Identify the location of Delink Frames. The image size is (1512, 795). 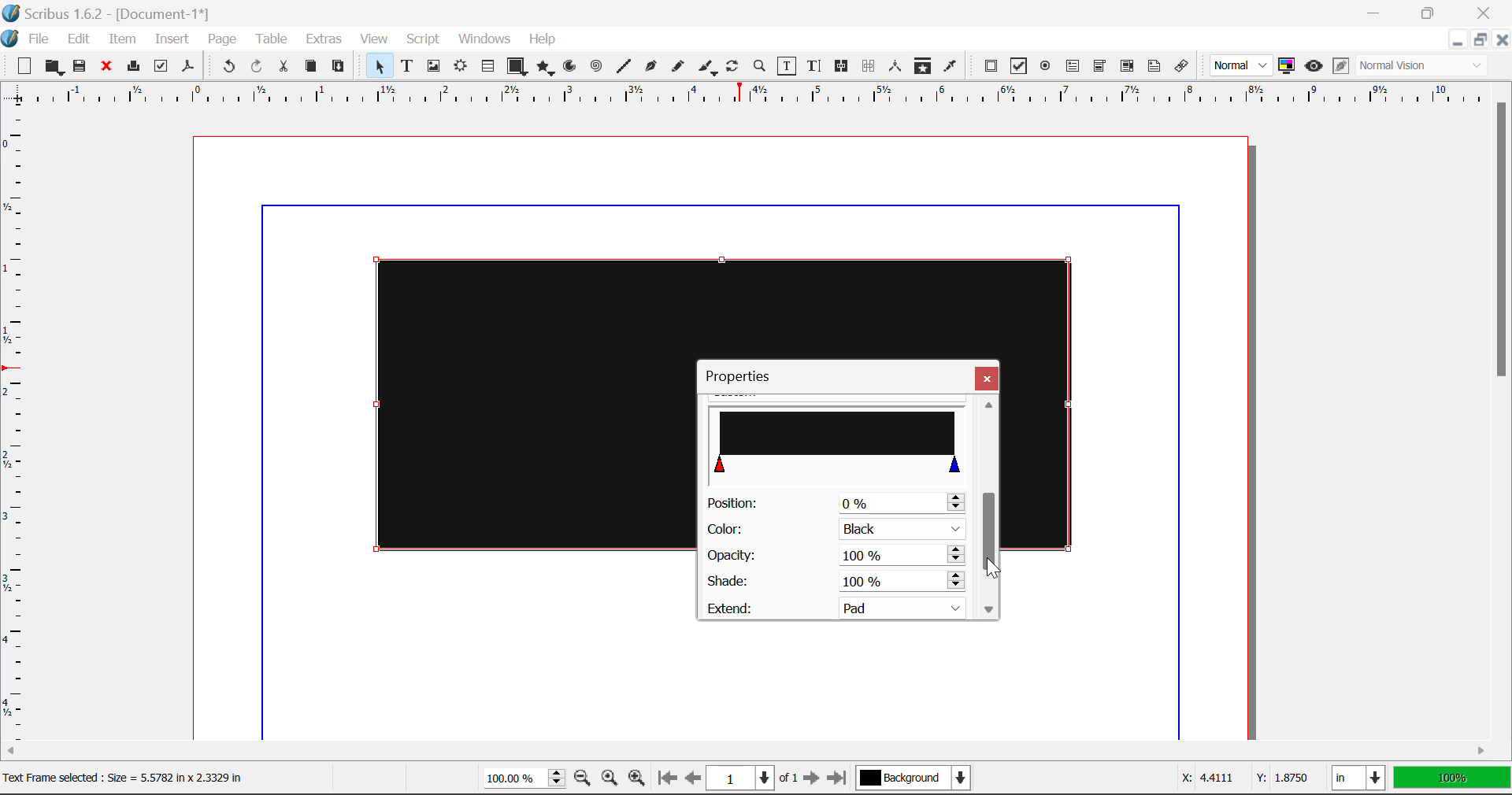
(869, 66).